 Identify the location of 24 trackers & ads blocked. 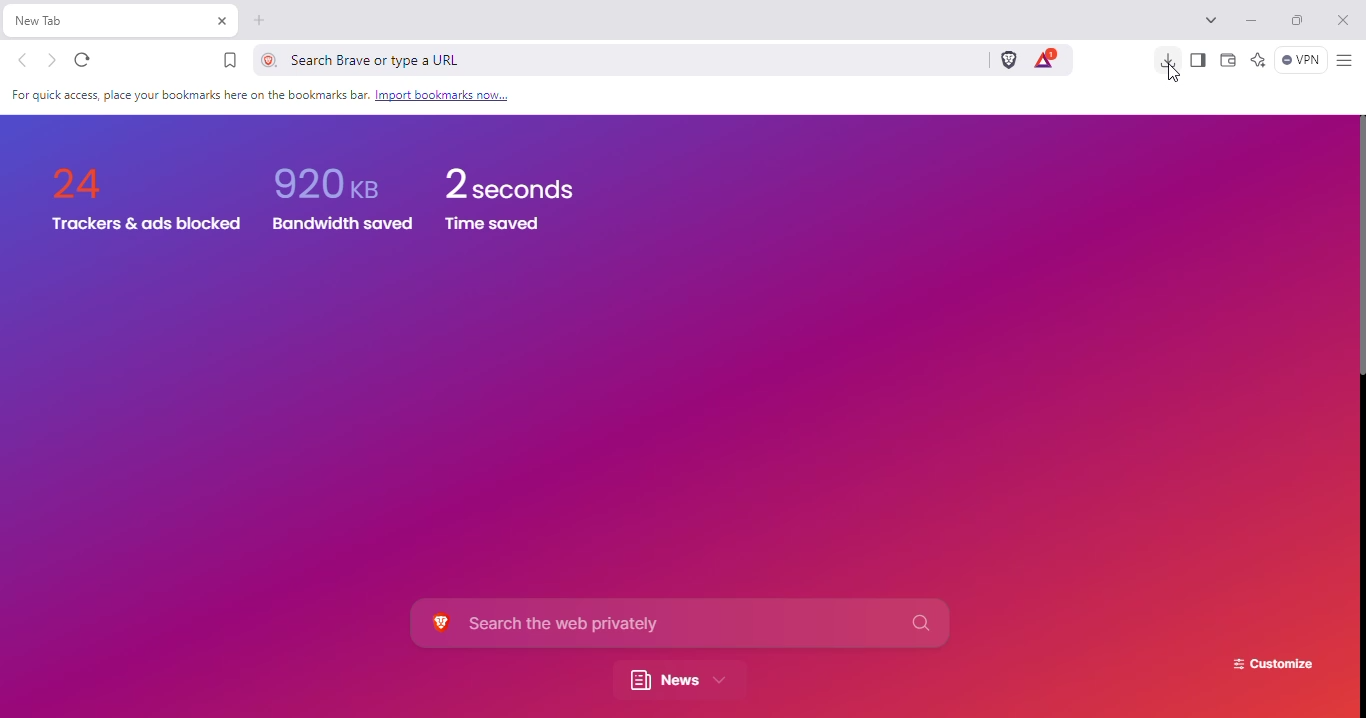
(82, 175).